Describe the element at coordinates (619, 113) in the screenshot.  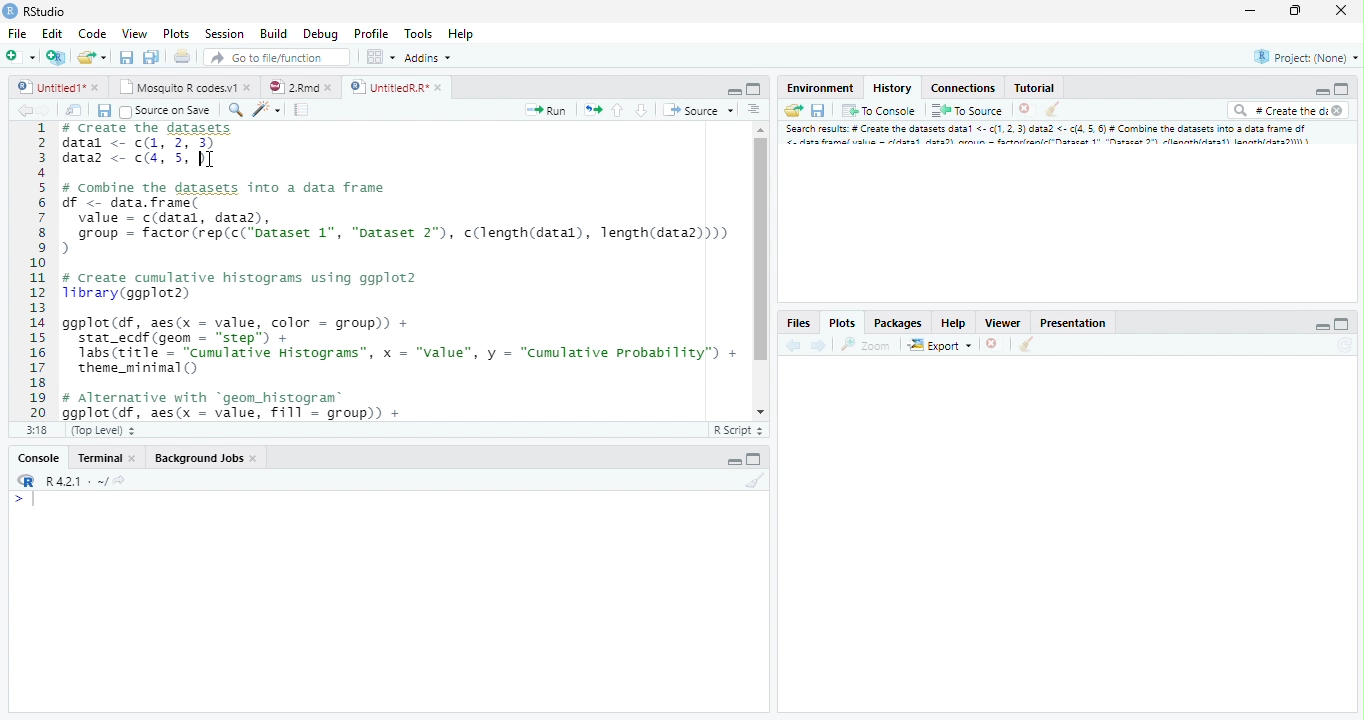
I see `Go to the previous section` at that location.